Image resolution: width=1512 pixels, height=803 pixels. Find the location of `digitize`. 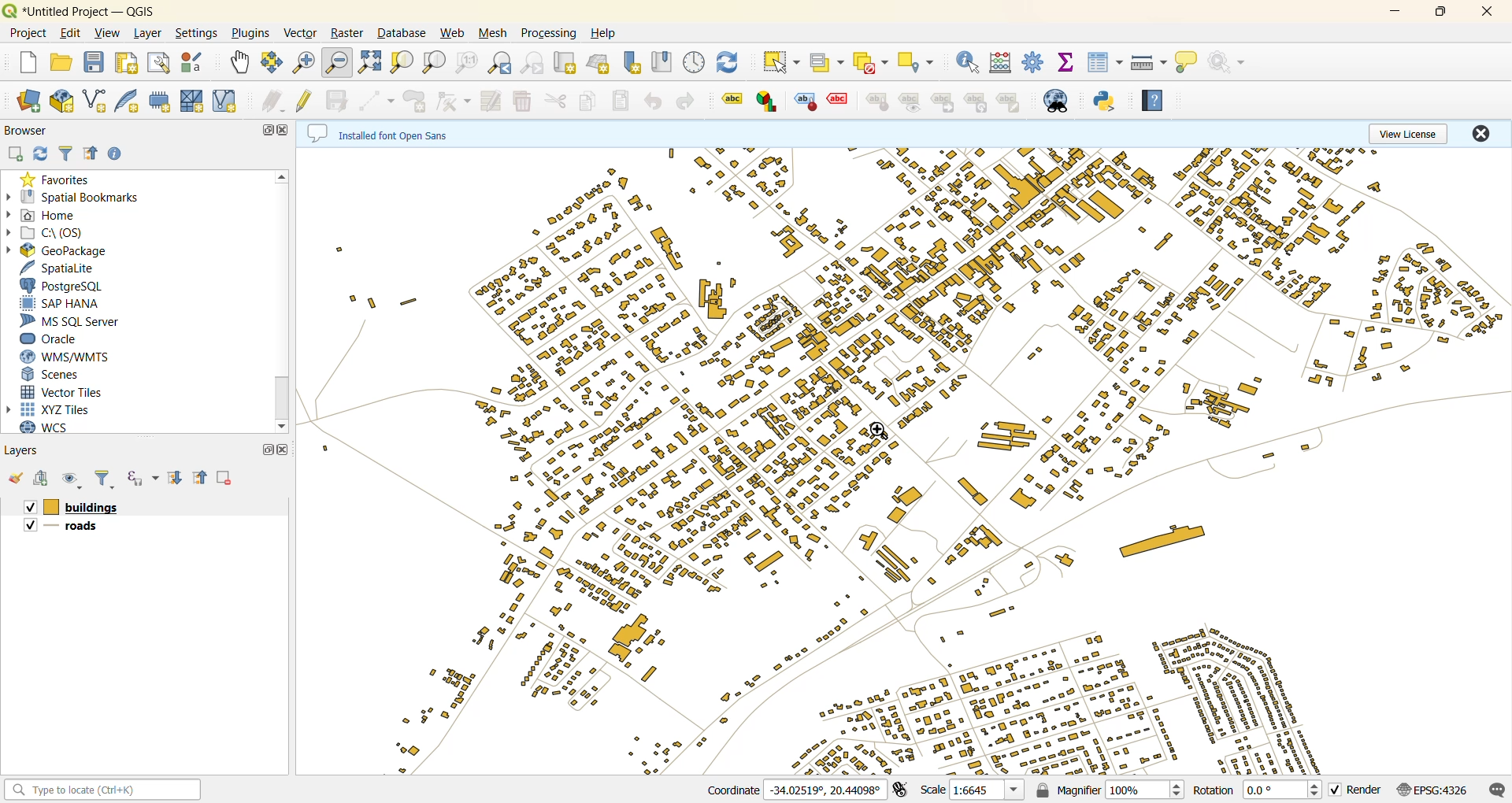

digitize is located at coordinates (379, 101).